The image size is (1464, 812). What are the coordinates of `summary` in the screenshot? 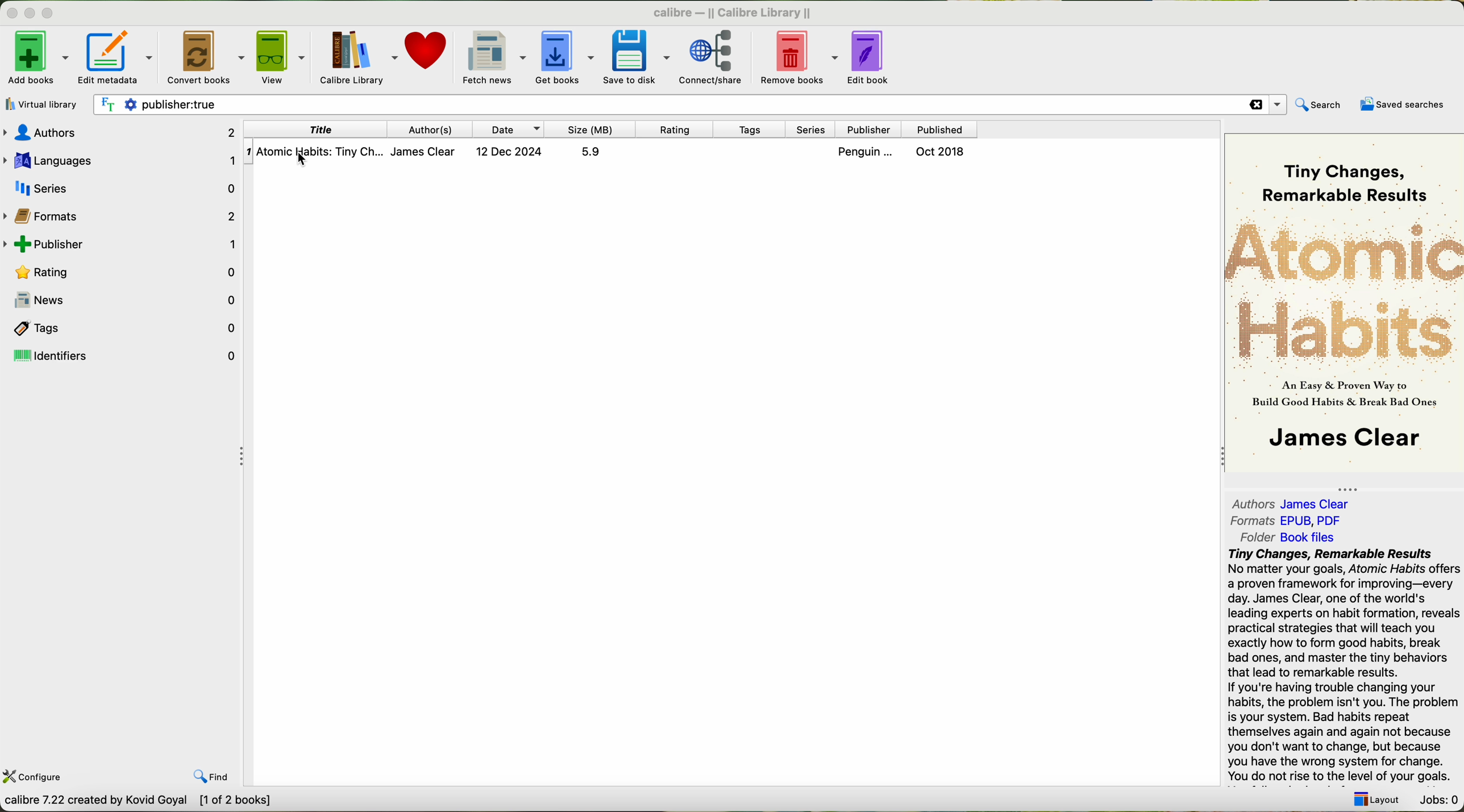 It's located at (1342, 667).